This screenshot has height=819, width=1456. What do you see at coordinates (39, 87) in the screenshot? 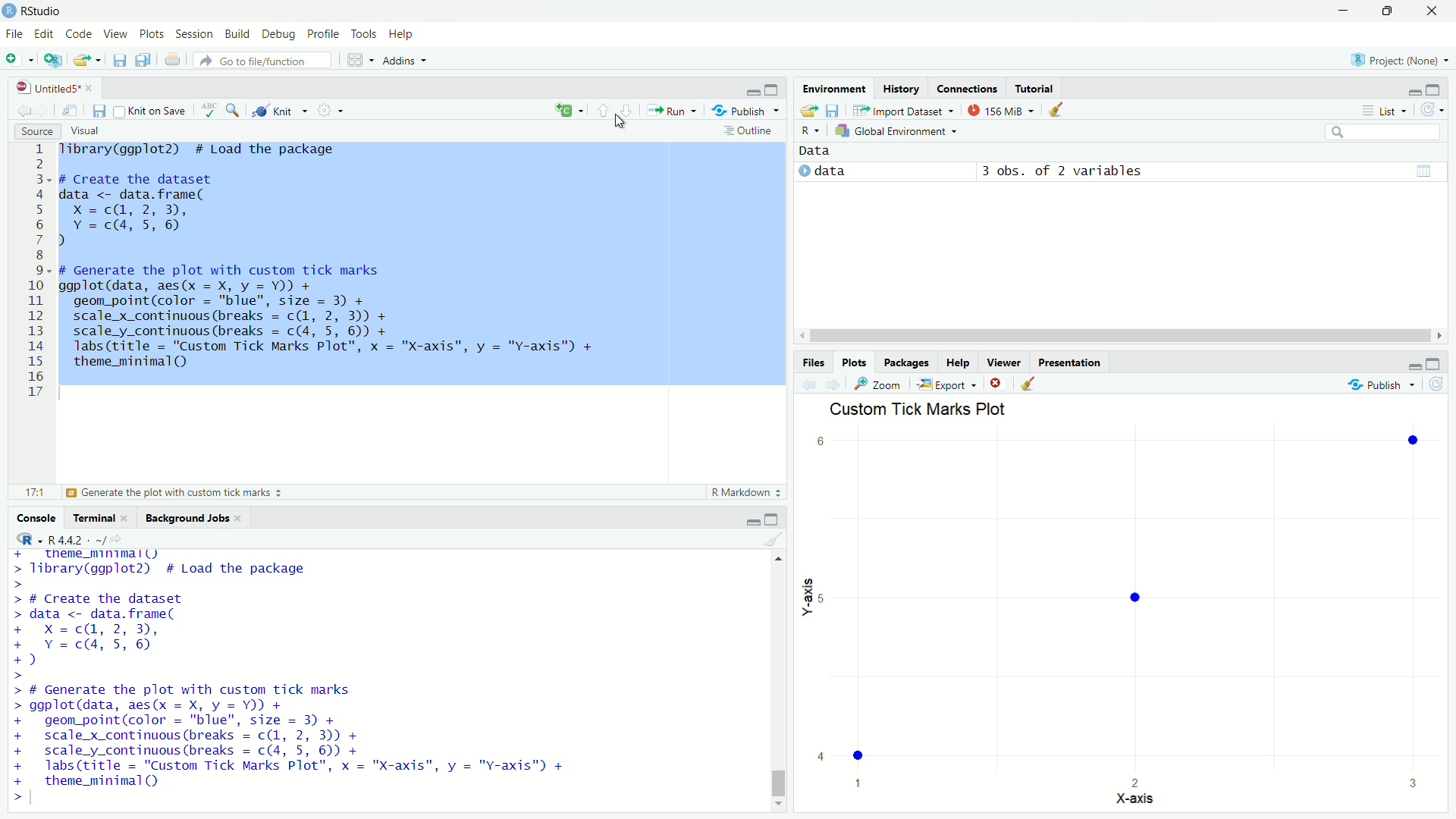
I see `untitled5` at bounding box center [39, 87].